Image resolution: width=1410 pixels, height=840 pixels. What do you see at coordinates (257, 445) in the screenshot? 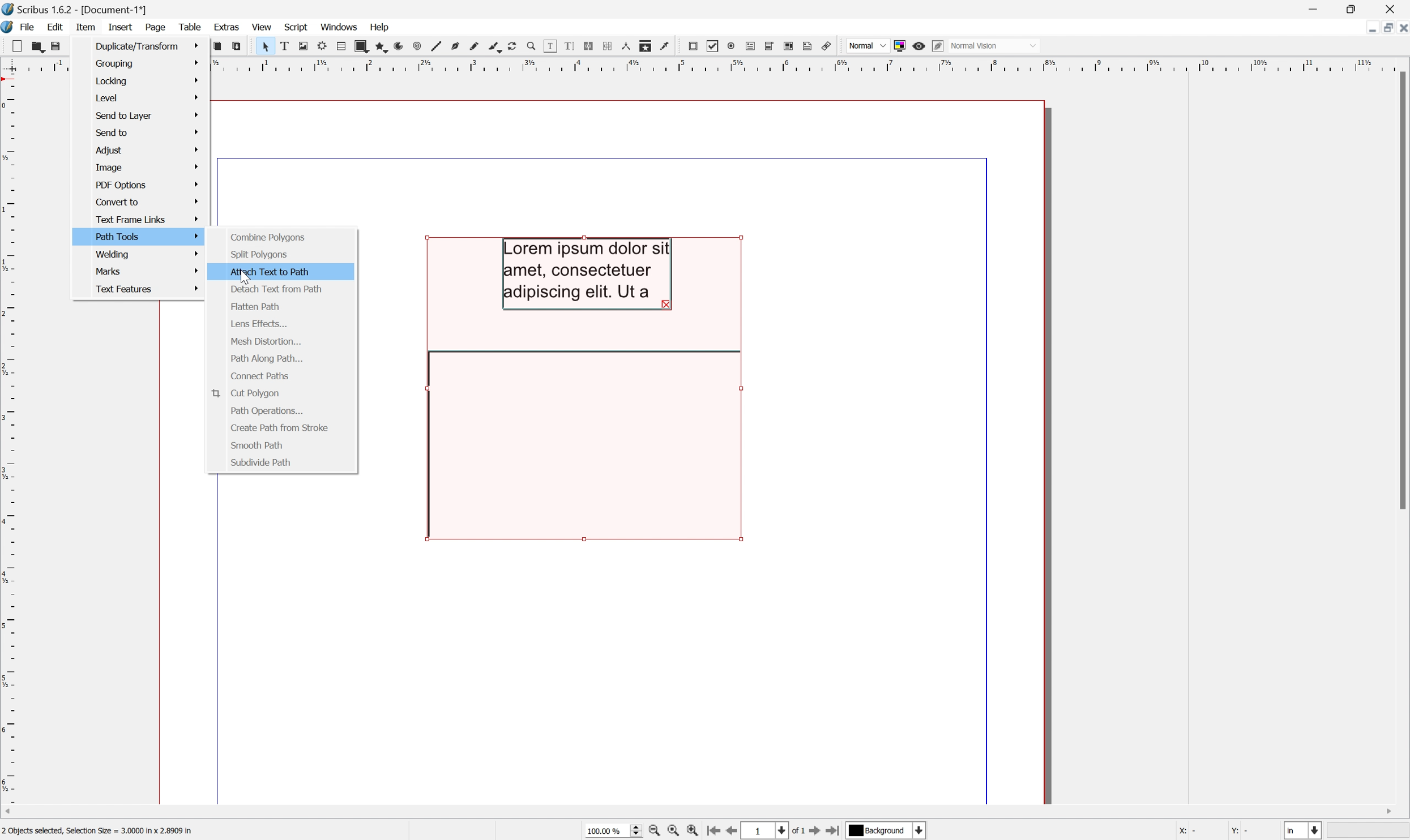
I see `Smooth path` at bounding box center [257, 445].